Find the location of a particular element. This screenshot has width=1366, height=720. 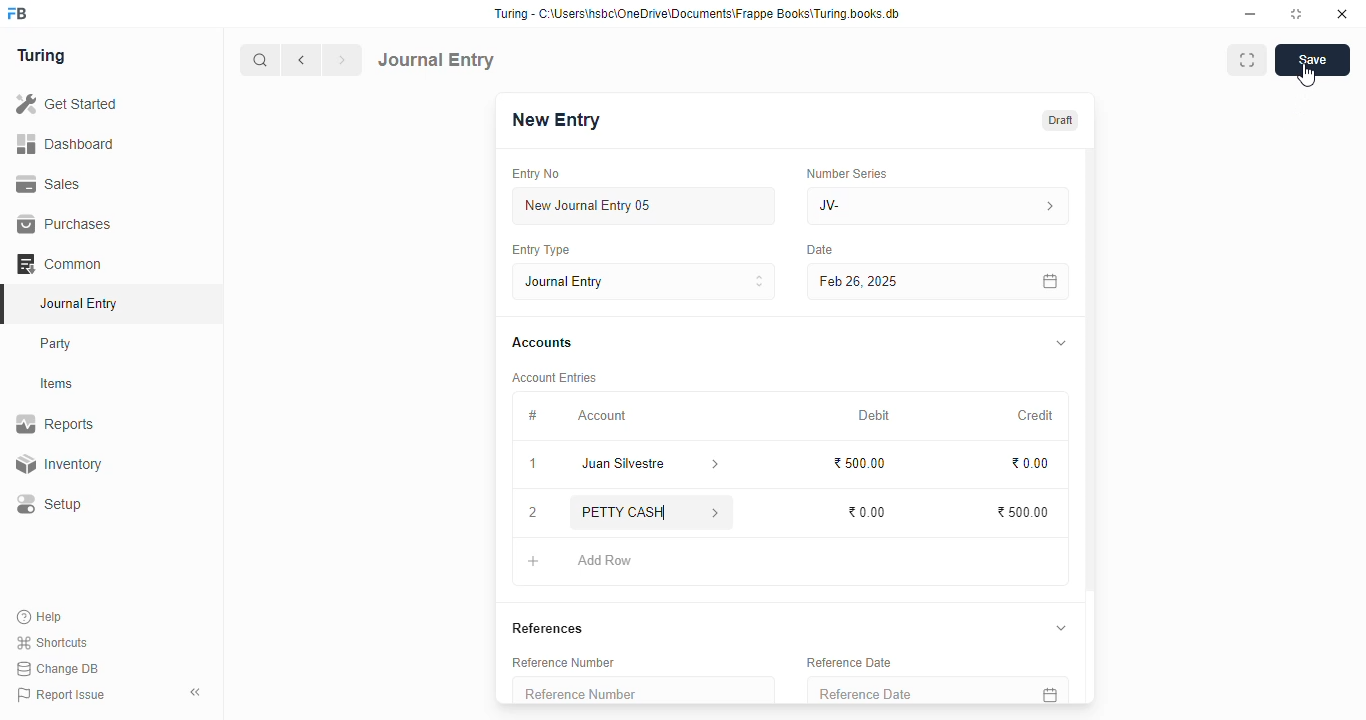

remove is located at coordinates (534, 514).